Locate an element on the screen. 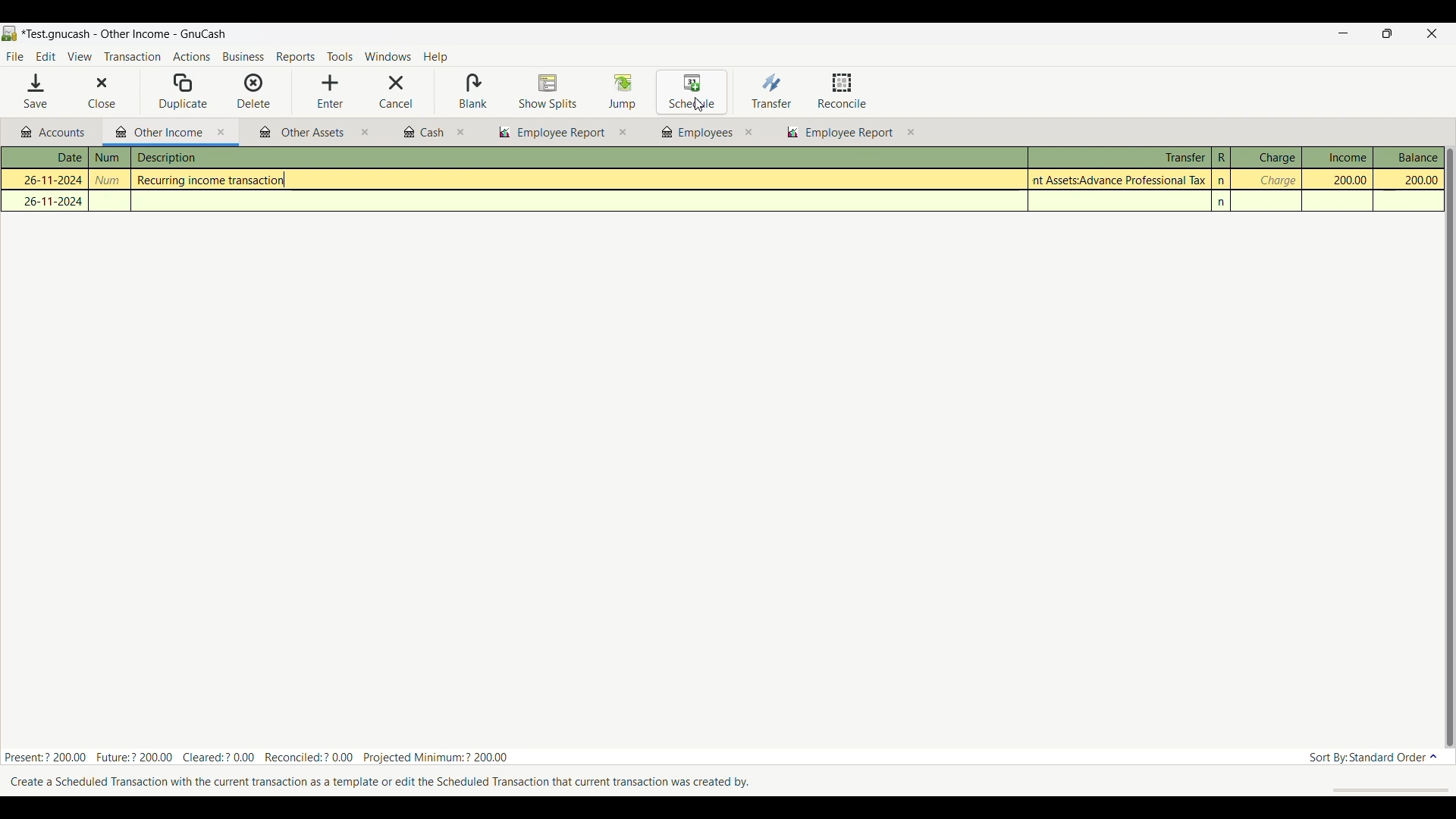 This screenshot has height=819, width=1456. Date is located at coordinates (53, 158).